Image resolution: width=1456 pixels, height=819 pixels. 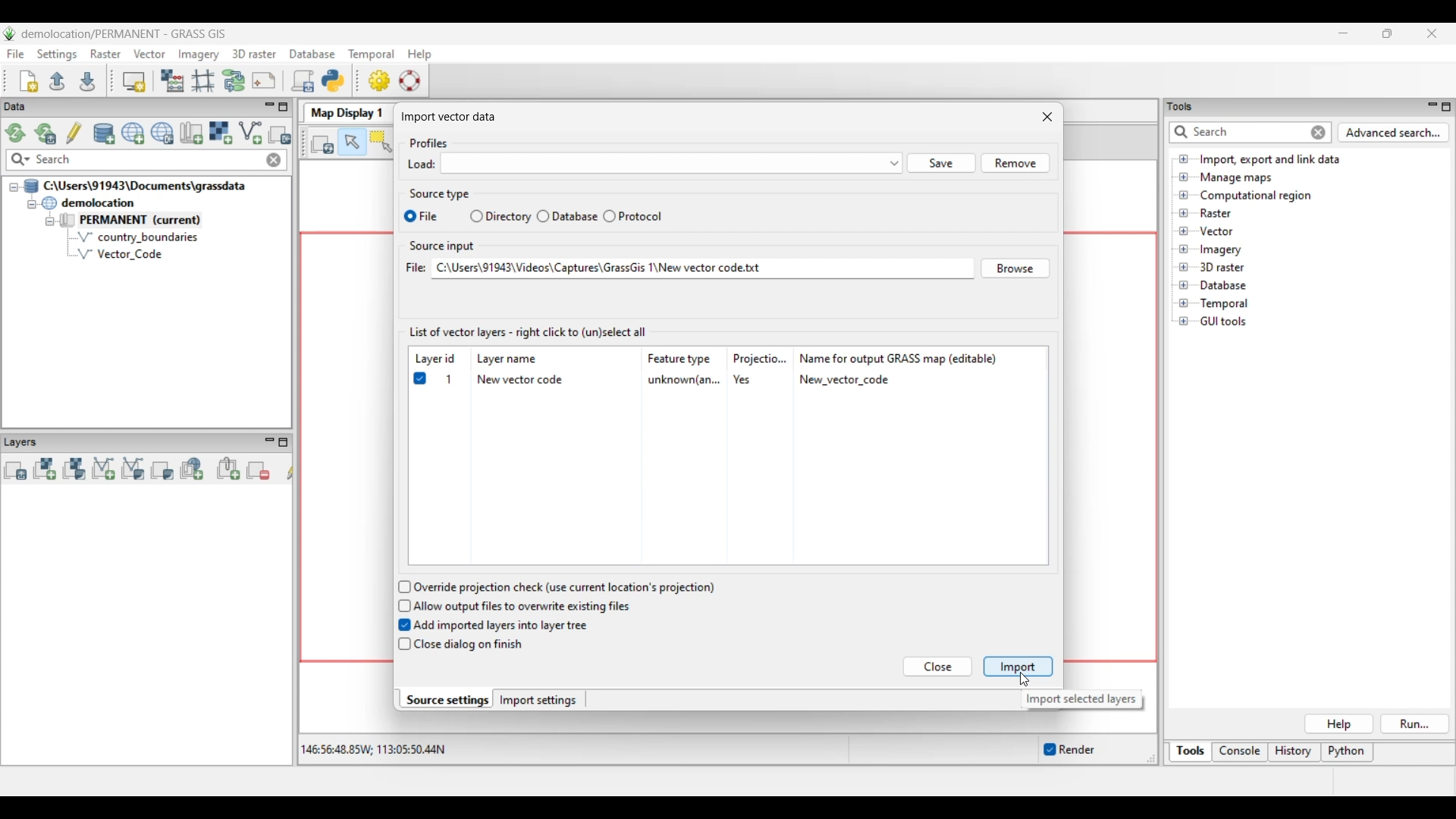 What do you see at coordinates (250, 133) in the screenshot?
I see `Import vector data, current selection` at bounding box center [250, 133].